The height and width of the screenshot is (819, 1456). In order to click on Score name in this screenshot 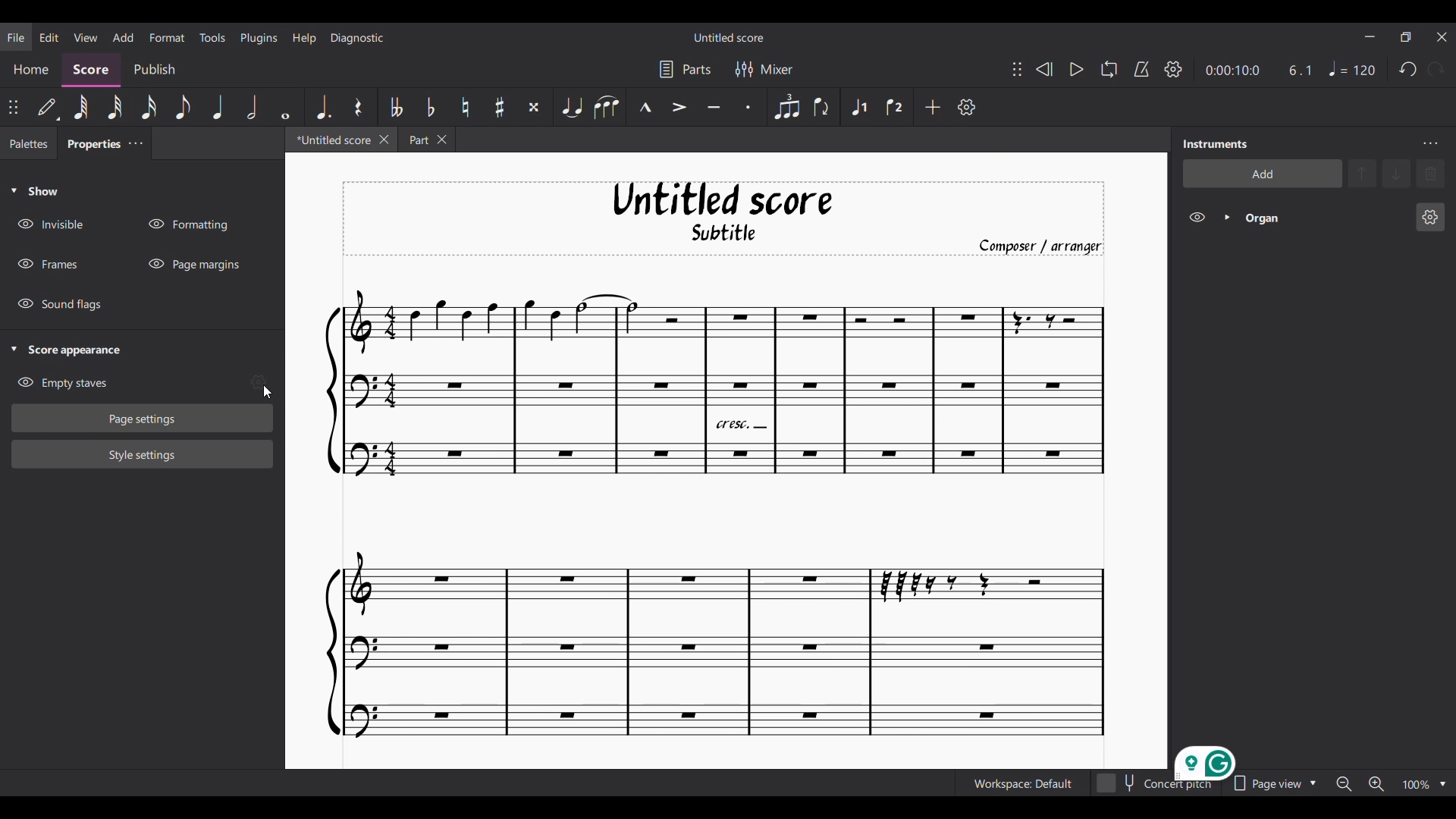, I will do `click(730, 37)`.